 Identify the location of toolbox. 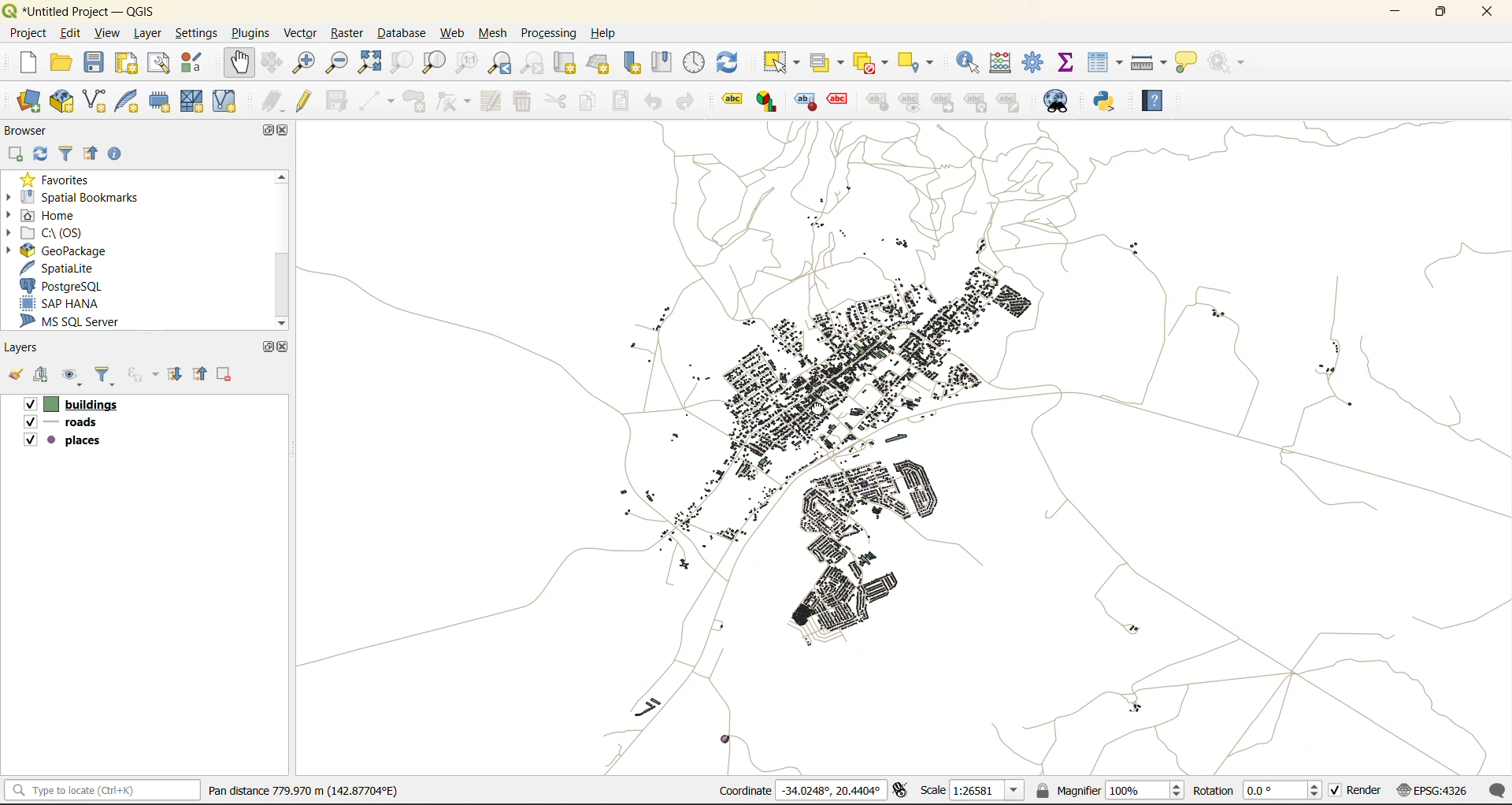
(1035, 62).